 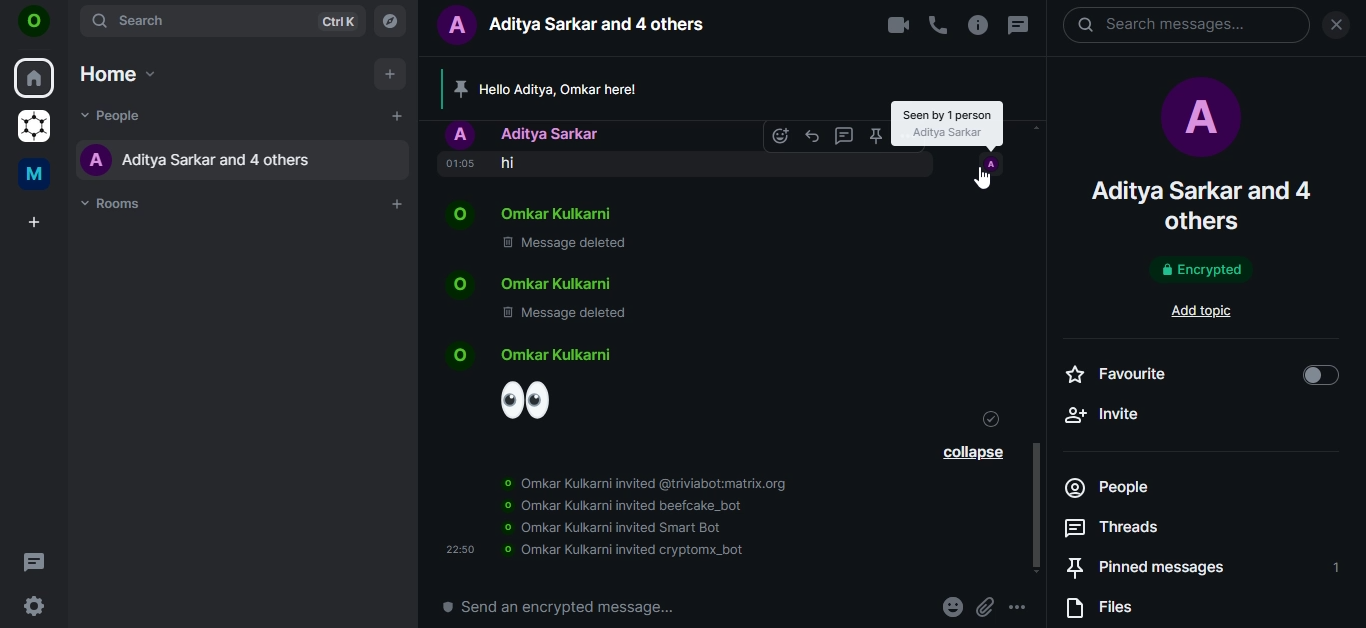 What do you see at coordinates (1208, 310) in the screenshot?
I see `add topic` at bounding box center [1208, 310].